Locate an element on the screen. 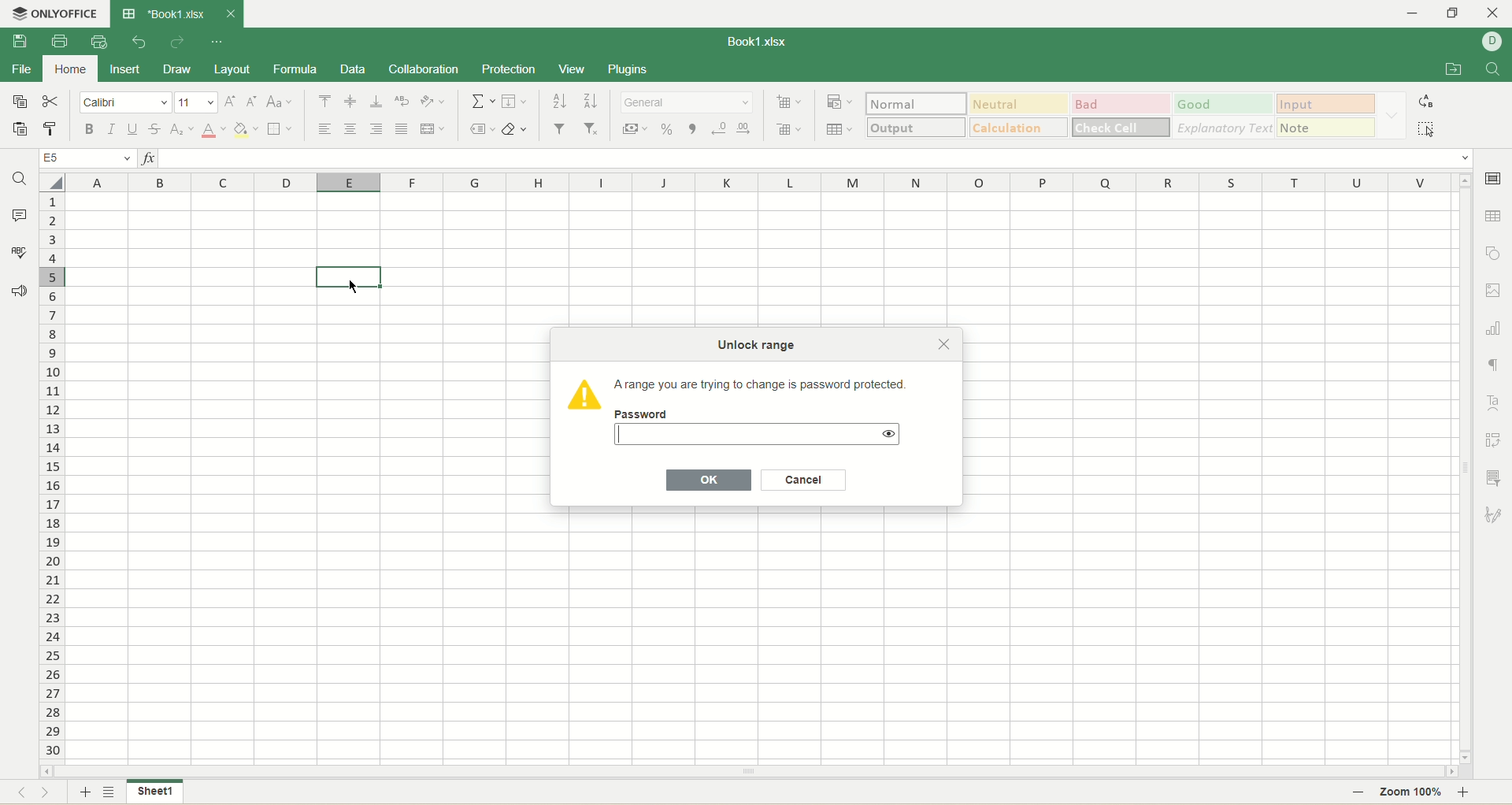  zoom 100% is located at coordinates (1414, 794).